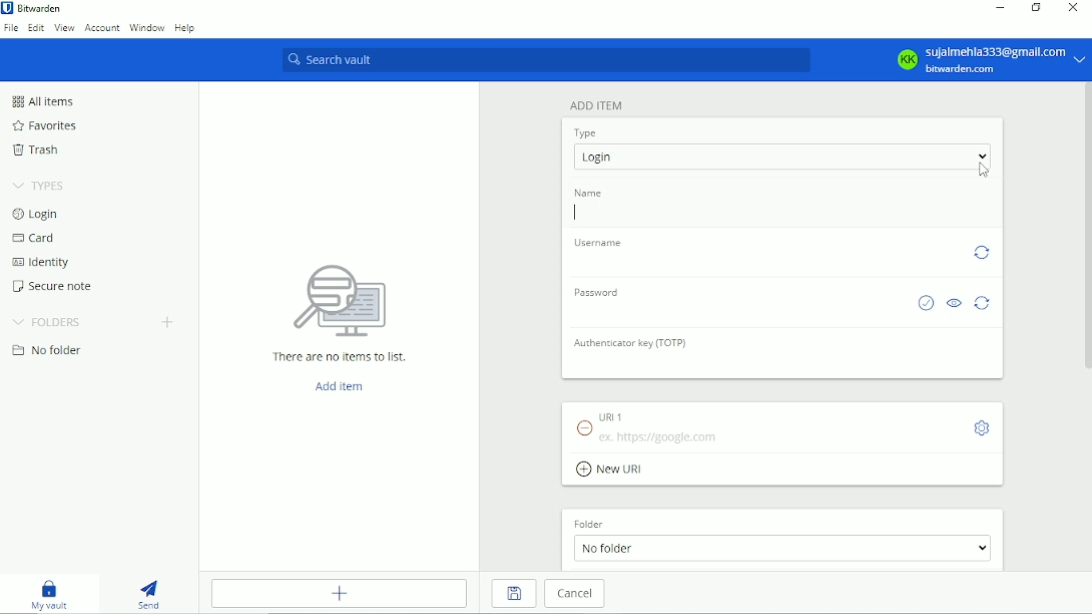 The height and width of the screenshot is (614, 1092). Describe the element at coordinates (612, 469) in the screenshot. I see `New URI` at that location.